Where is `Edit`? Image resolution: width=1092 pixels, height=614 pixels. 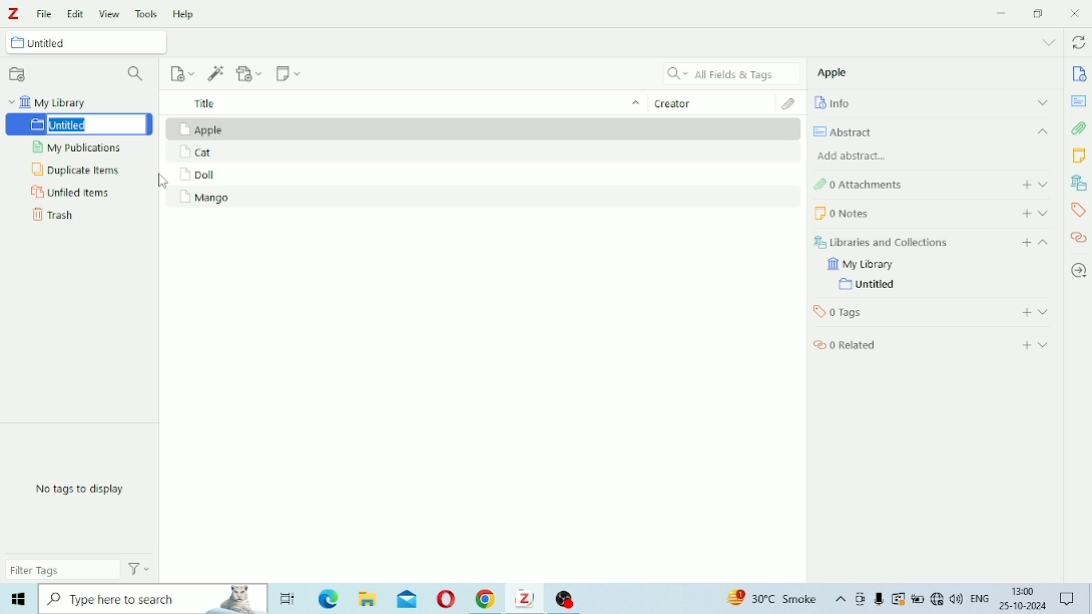 Edit is located at coordinates (76, 13).